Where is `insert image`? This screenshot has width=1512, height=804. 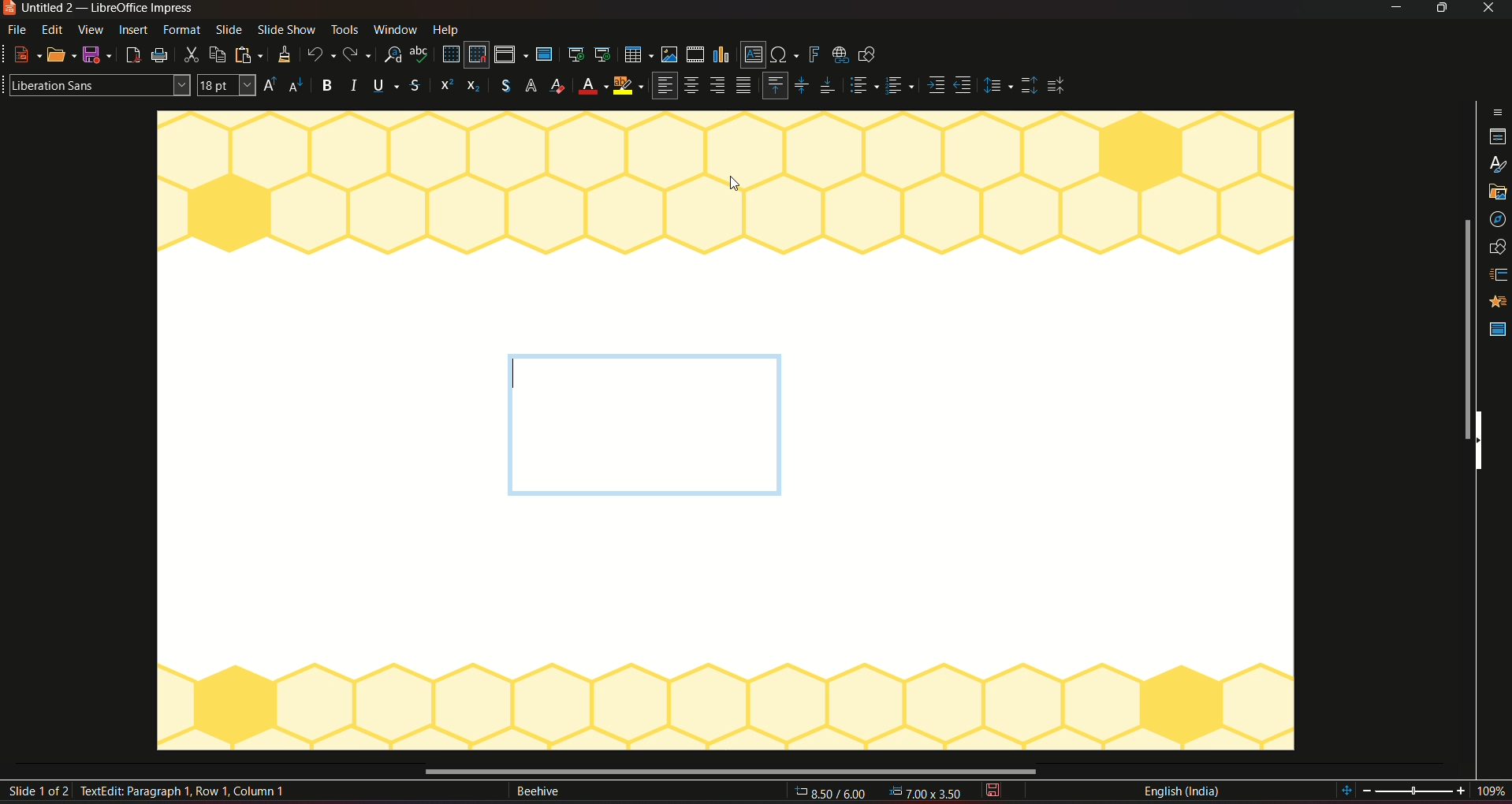
insert image is located at coordinates (668, 54).